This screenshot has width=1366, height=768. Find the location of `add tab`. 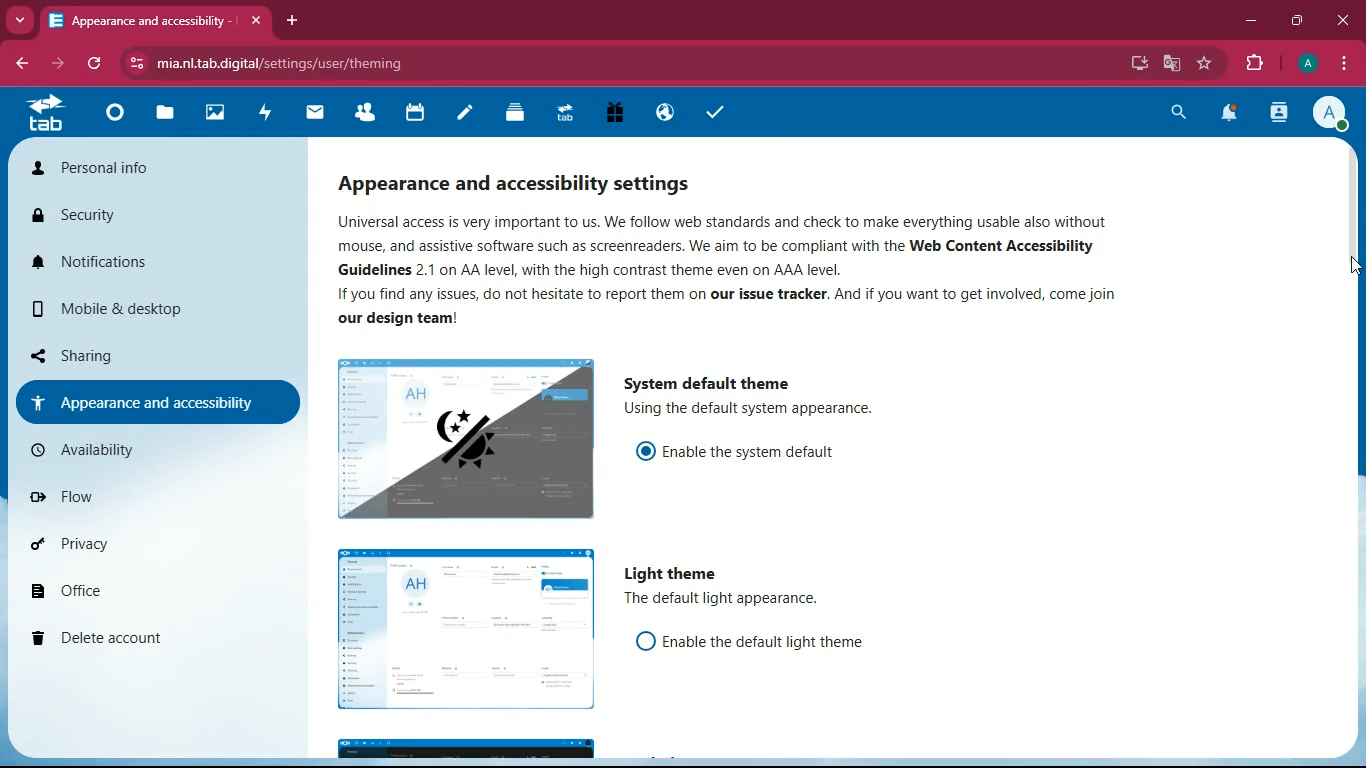

add tab is located at coordinates (289, 20).